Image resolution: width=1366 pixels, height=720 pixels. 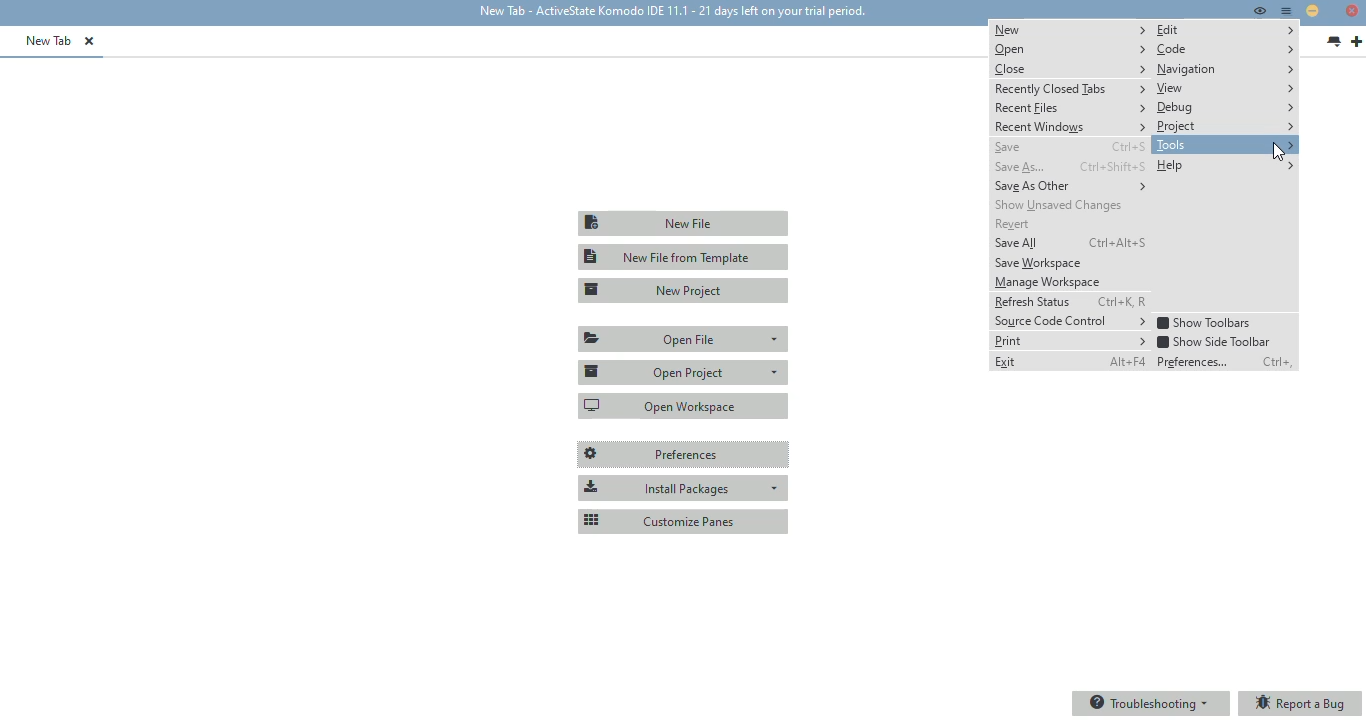 I want to click on edit, so click(x=1226, y=30).